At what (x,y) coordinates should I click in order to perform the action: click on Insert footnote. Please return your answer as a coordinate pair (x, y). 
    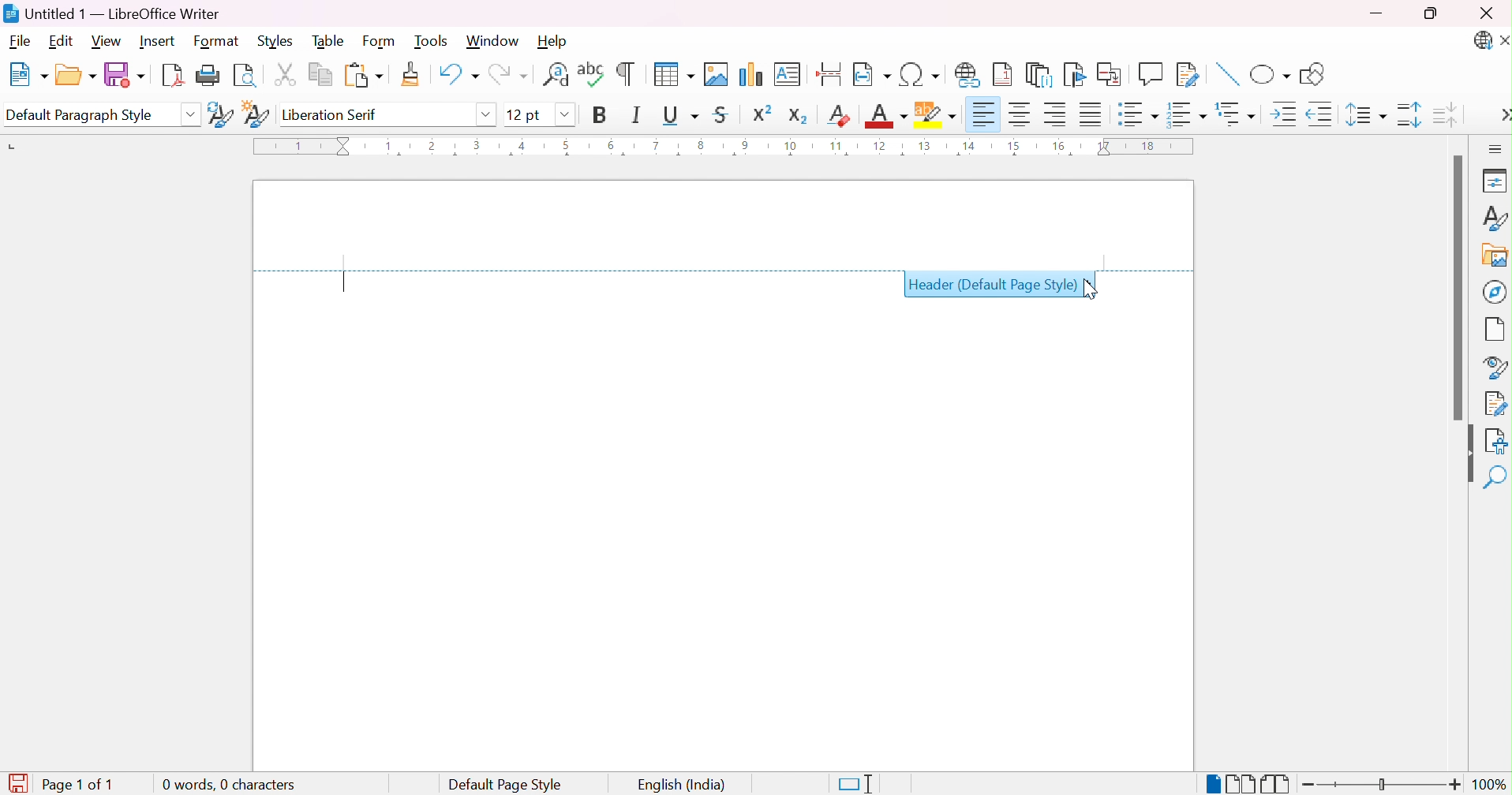
    Looking at the image, I should click on (1005, 73).